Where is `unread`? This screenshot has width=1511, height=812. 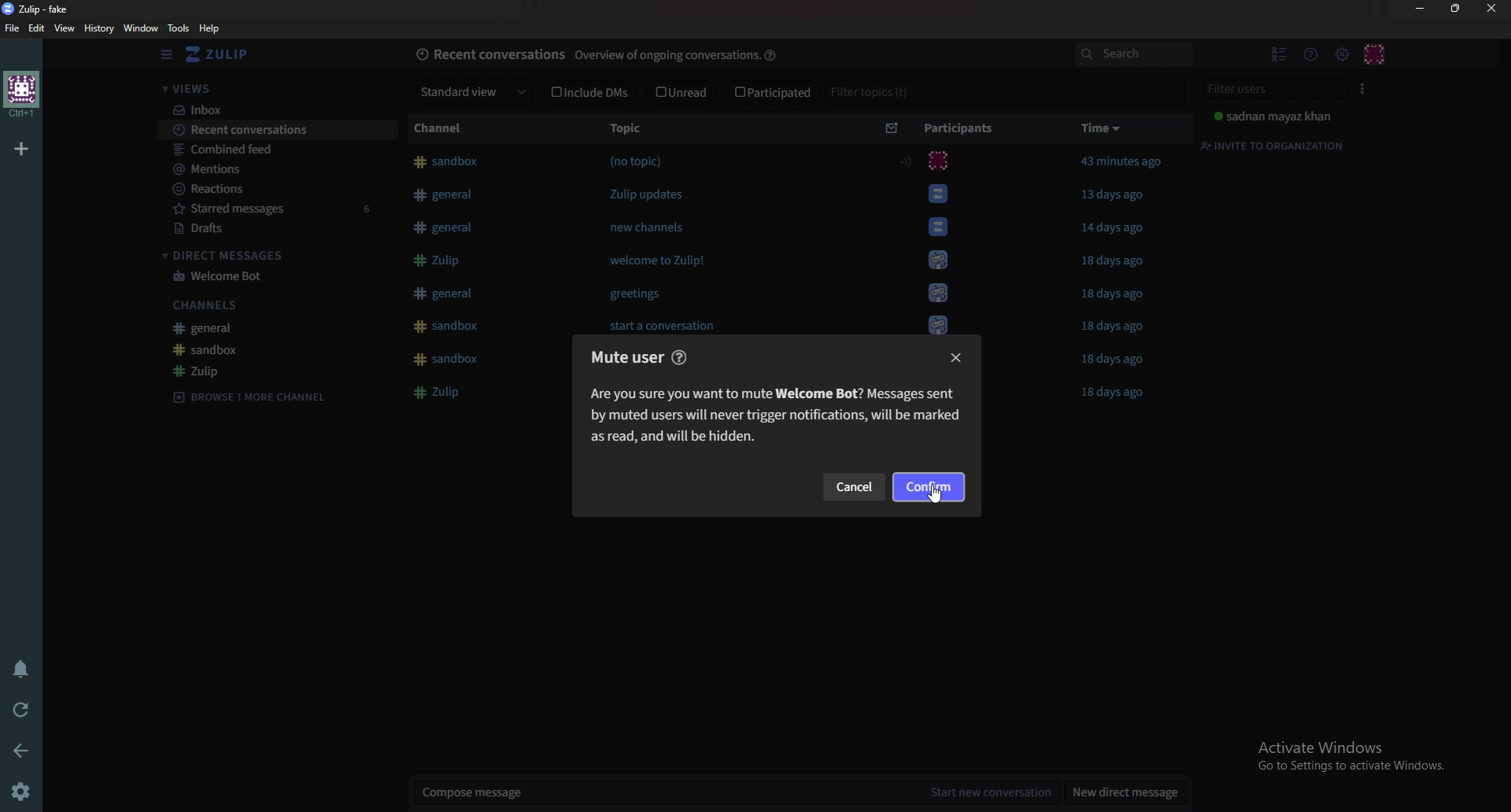 unread is located at coordinates (685, 91).